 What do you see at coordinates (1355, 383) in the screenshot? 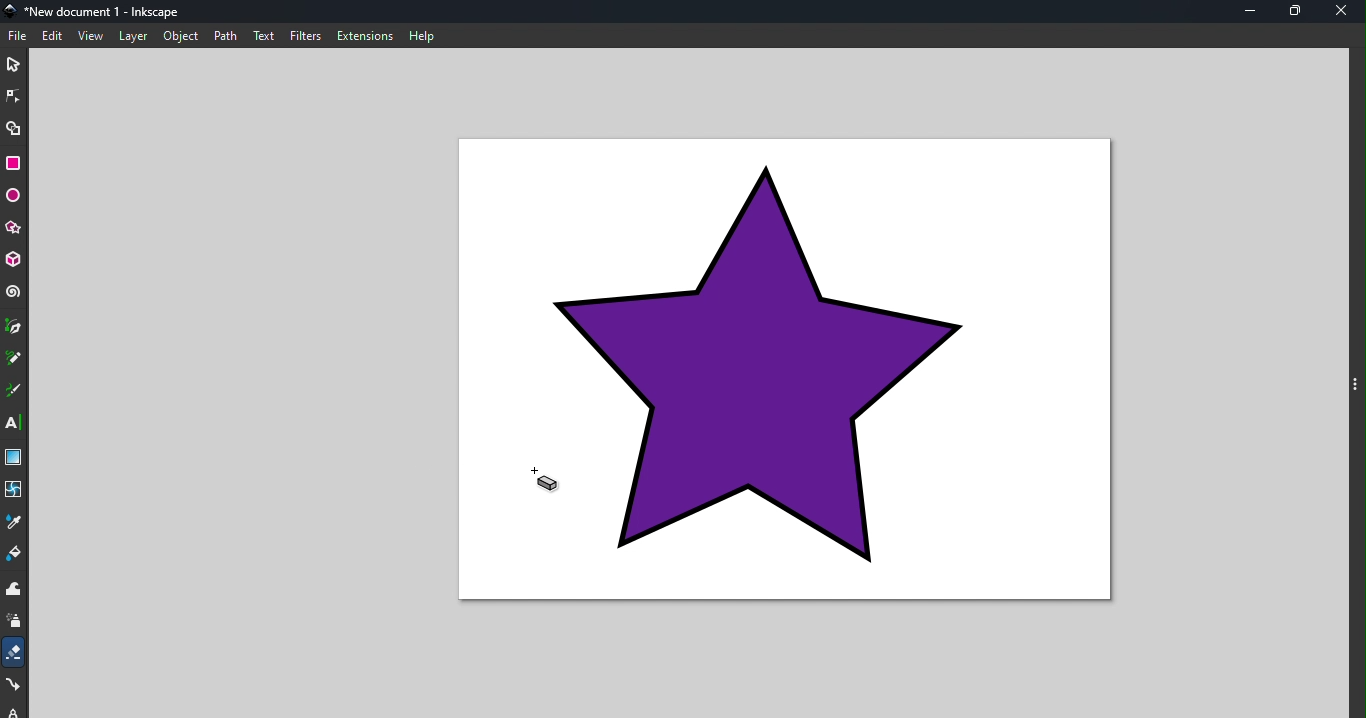
I see `toggle command panel` at bounding box center [1355, 383].